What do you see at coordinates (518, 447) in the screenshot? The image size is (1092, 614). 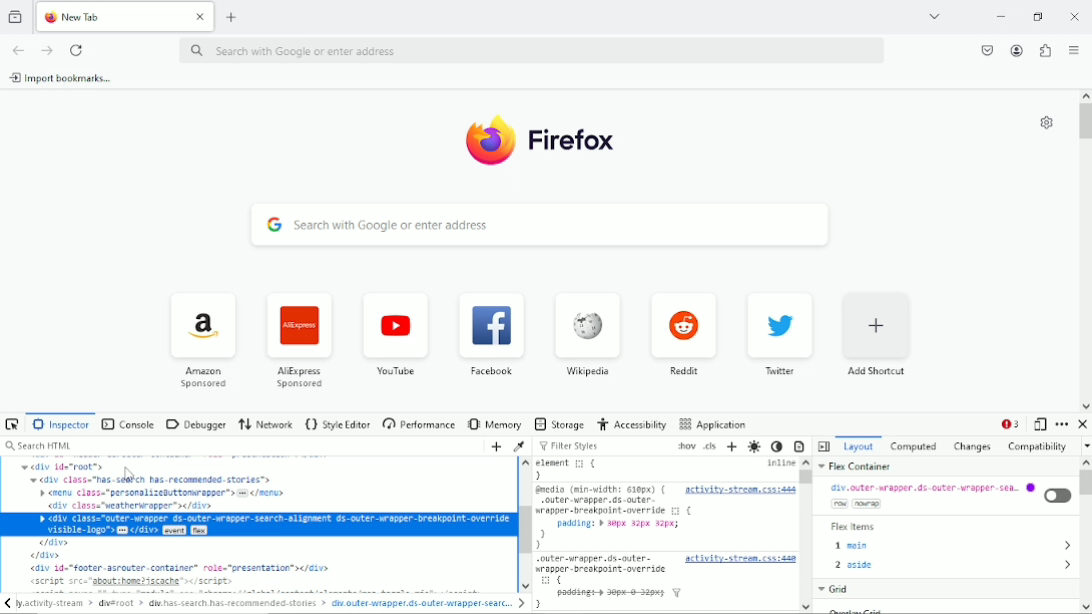 I see `Grab a color from the page` at bounding box center [518, 447].